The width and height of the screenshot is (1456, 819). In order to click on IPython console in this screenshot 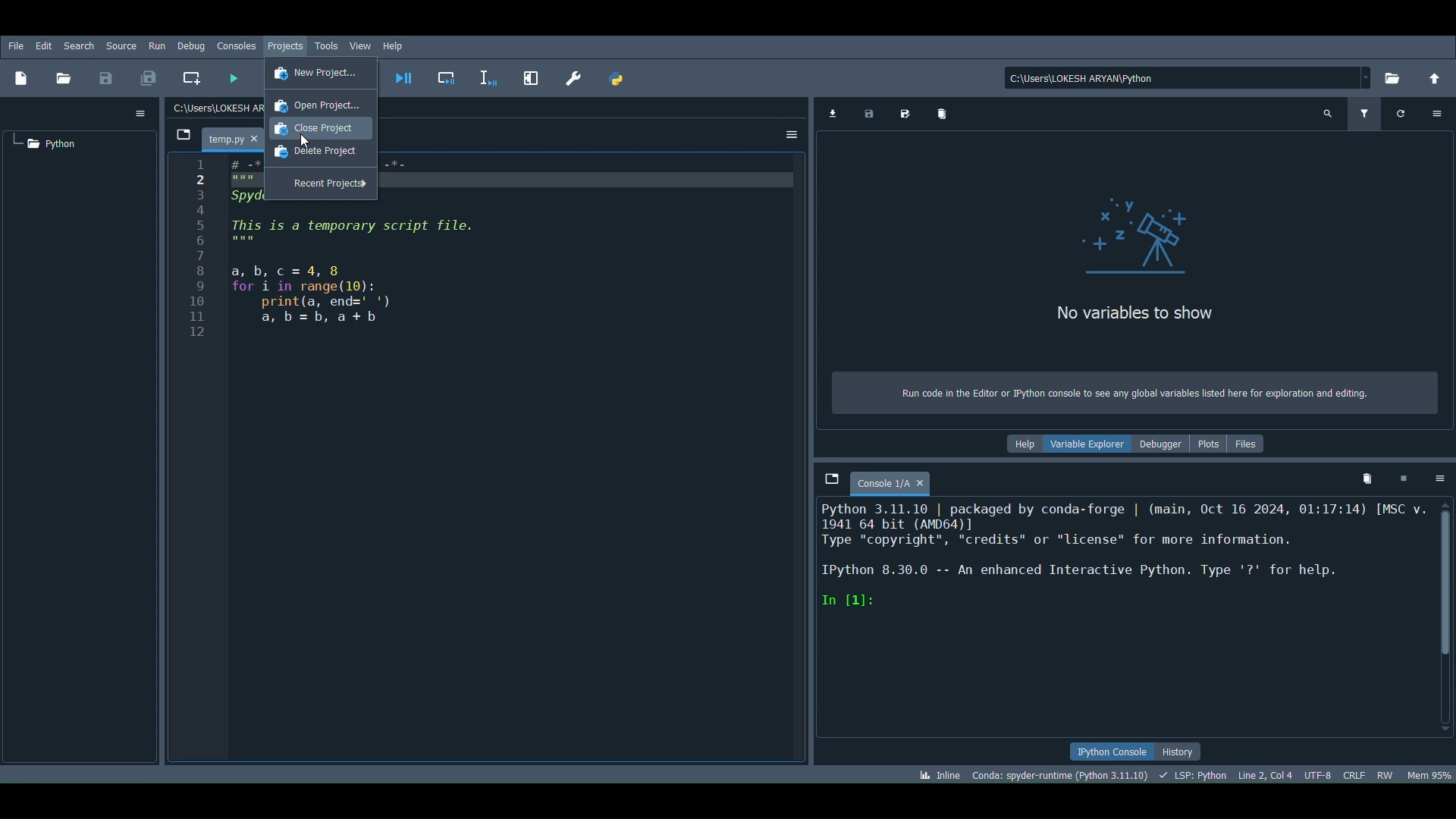, I will do `click(1108, 750)`.